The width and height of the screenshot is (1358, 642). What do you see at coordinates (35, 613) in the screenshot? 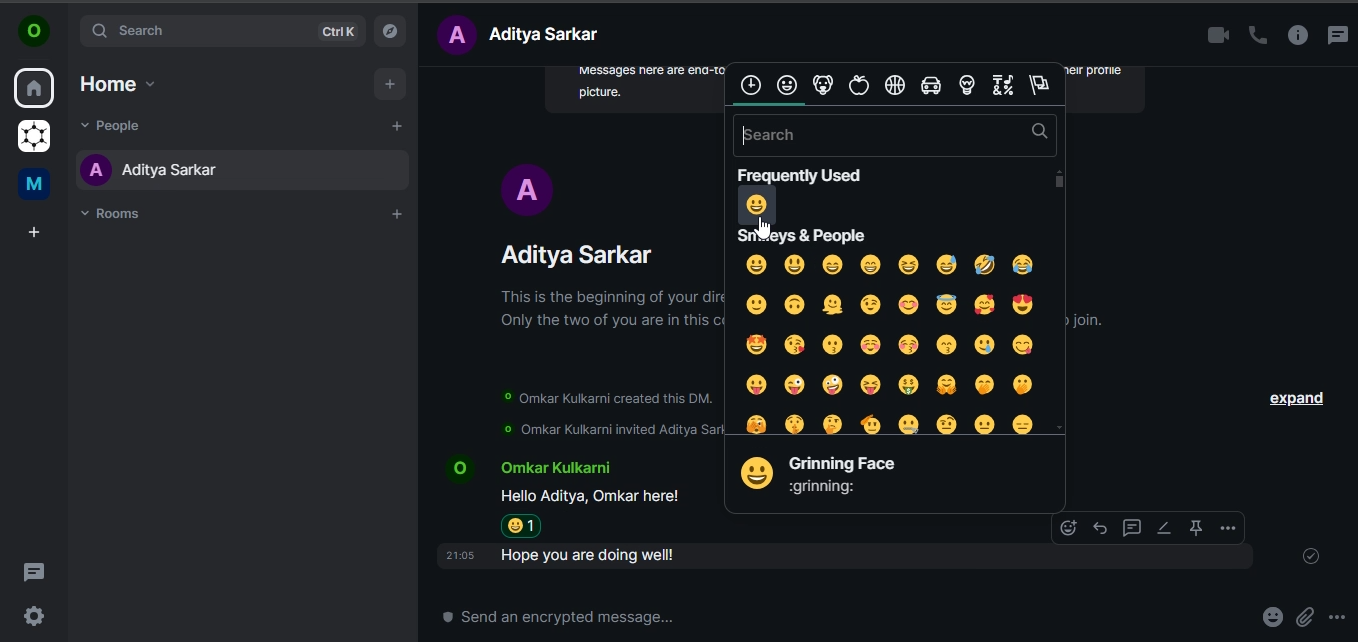
I see `quicker settings` at bounding box center [35, 613].